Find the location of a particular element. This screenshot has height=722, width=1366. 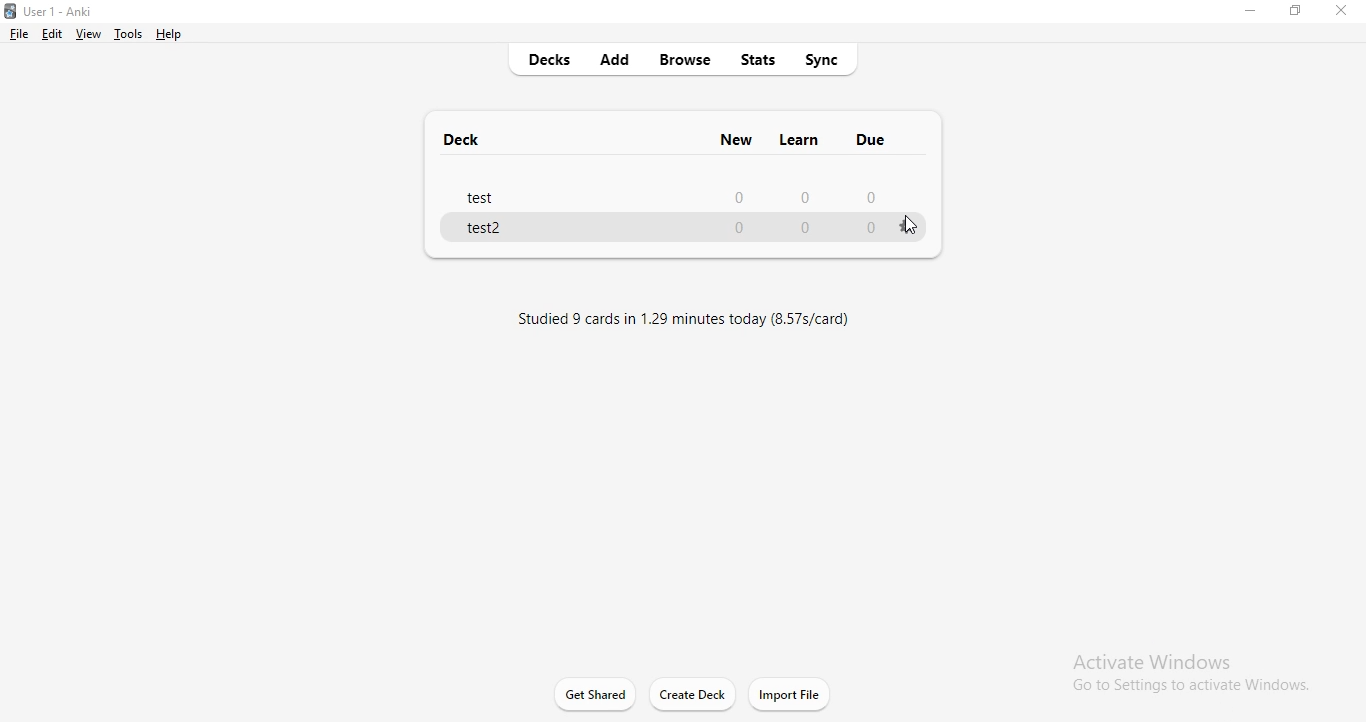

due is located at coordinates (871, 141).